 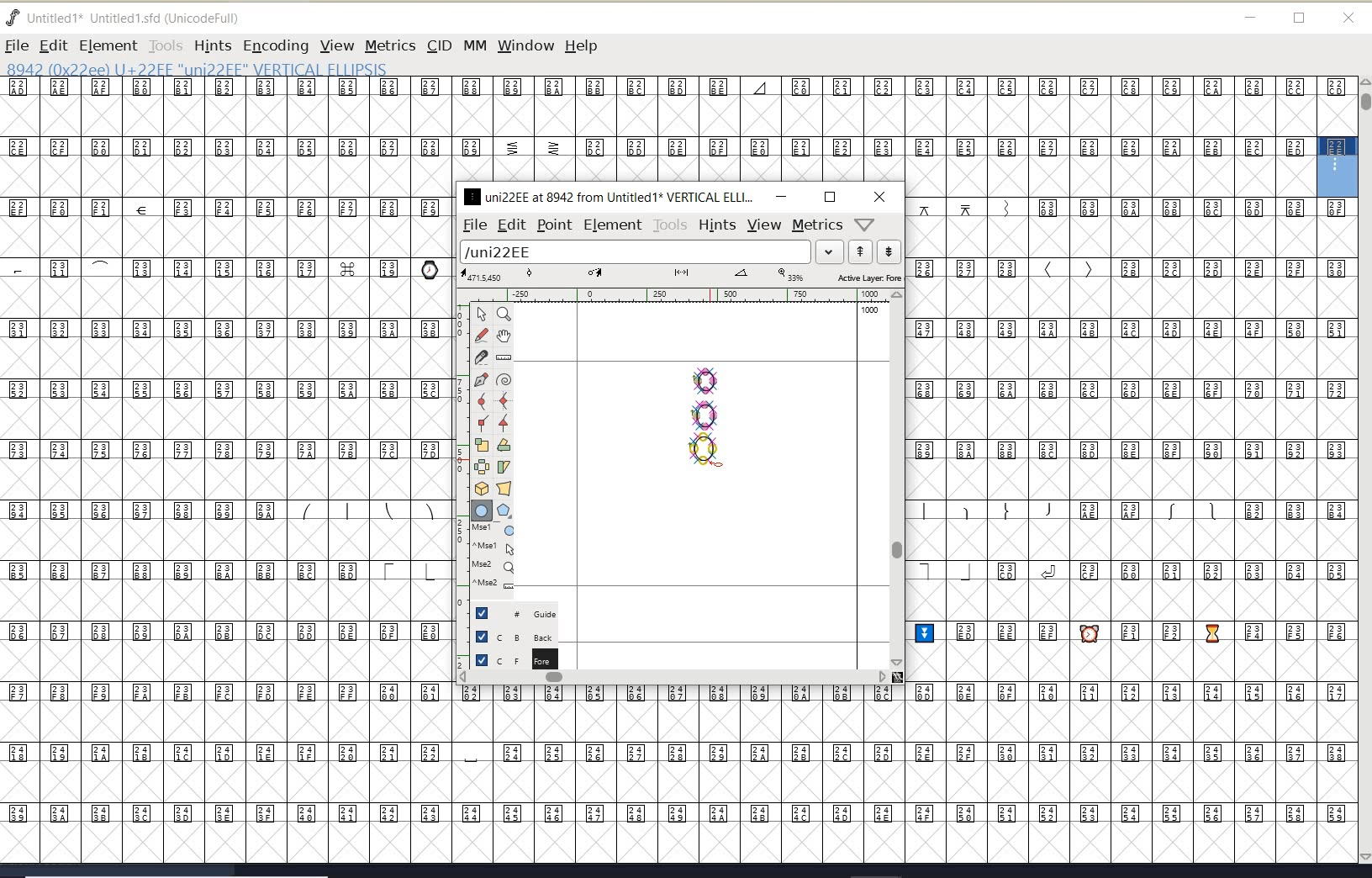 I want to click on restore, so click(x=830, y=197).